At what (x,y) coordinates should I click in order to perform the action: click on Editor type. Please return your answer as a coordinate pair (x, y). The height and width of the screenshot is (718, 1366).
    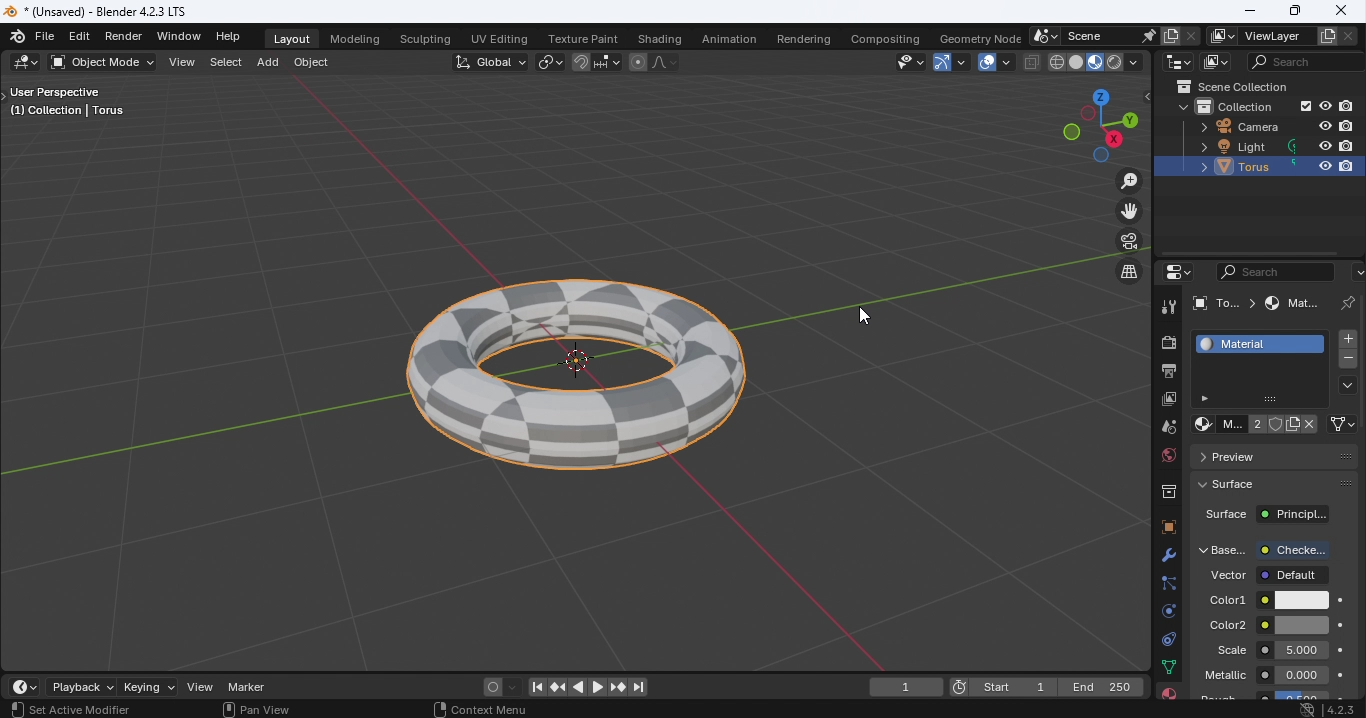
    Looking at the image, I should click on (1178, 62).